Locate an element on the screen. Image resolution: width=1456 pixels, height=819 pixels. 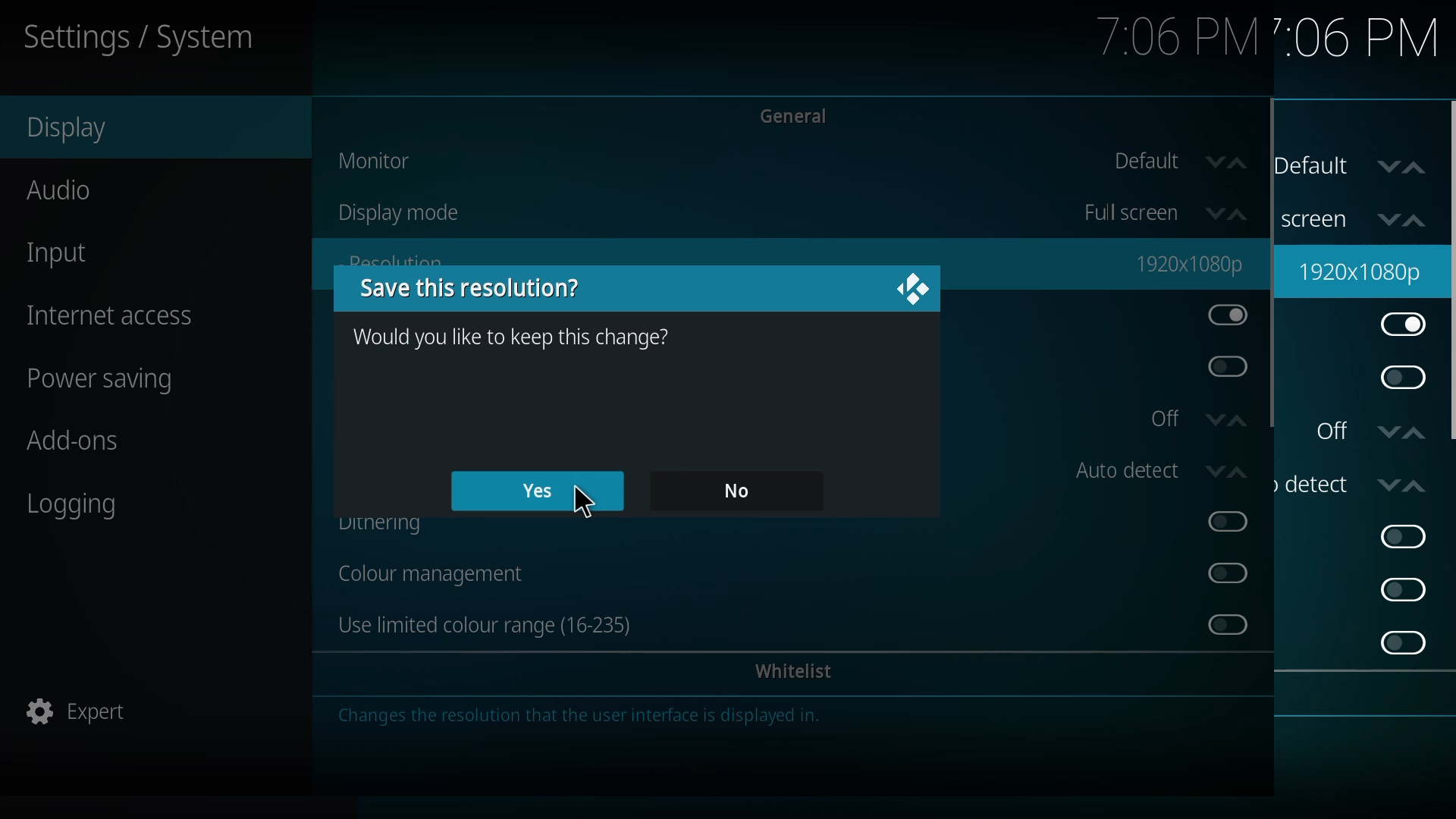
add-ons is located at coordinates (91, 452).